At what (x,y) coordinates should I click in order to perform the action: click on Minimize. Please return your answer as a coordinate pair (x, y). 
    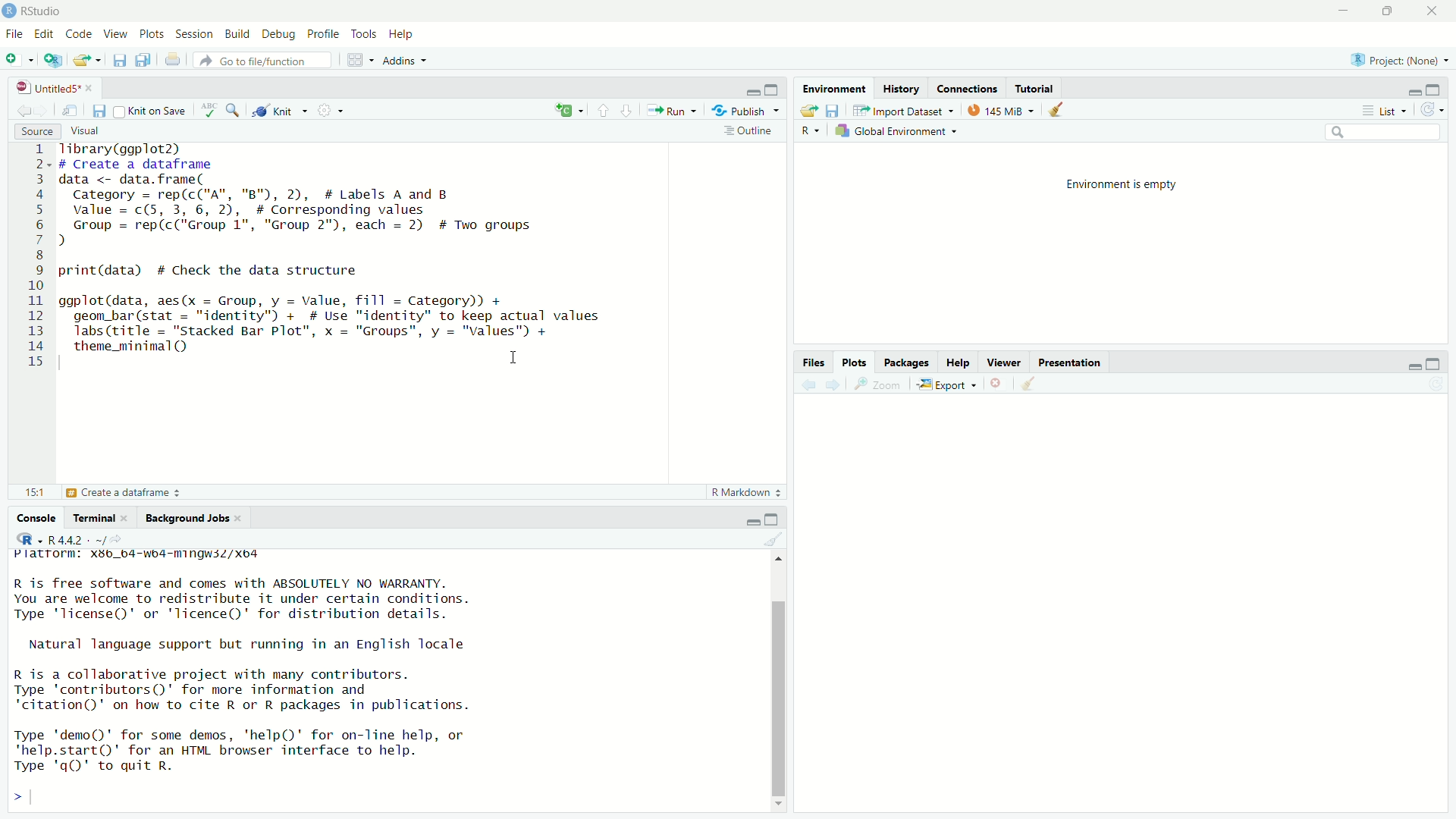
    Looking at the image, I should click on (1345, 11).